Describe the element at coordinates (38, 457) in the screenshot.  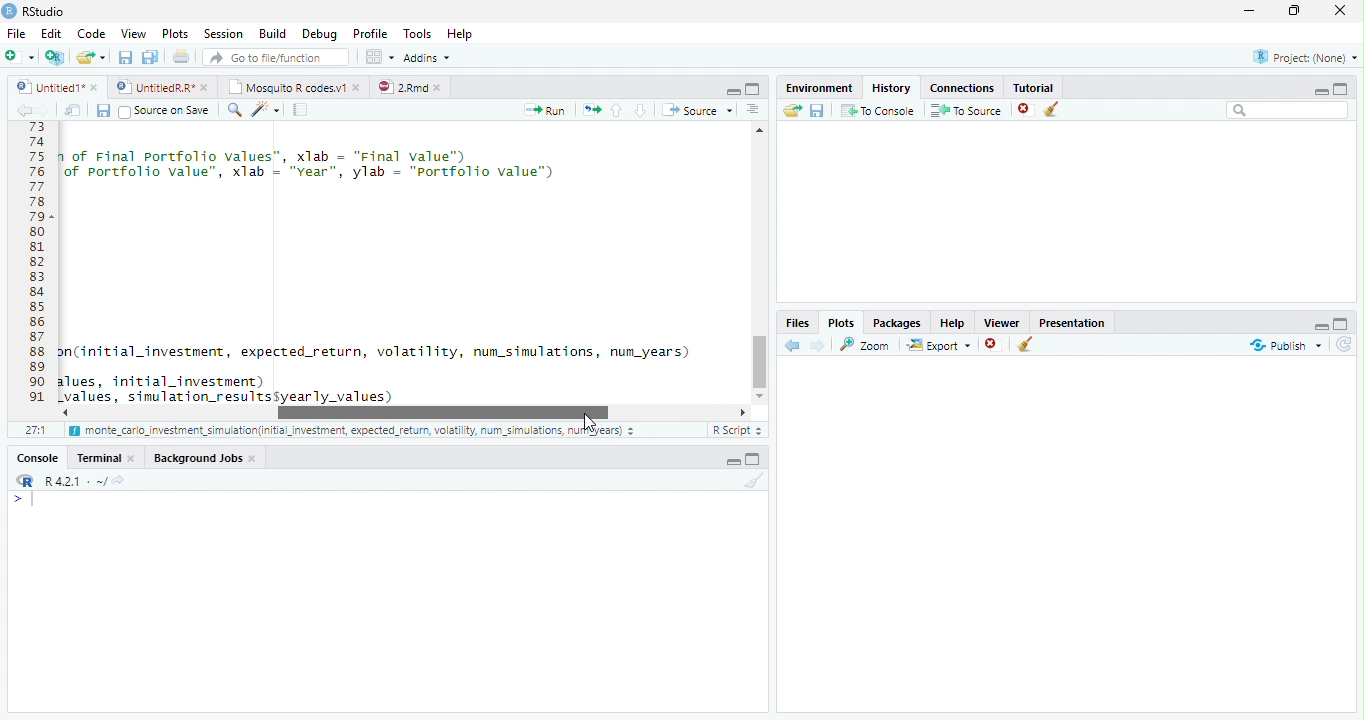
I see `Console` at that location.